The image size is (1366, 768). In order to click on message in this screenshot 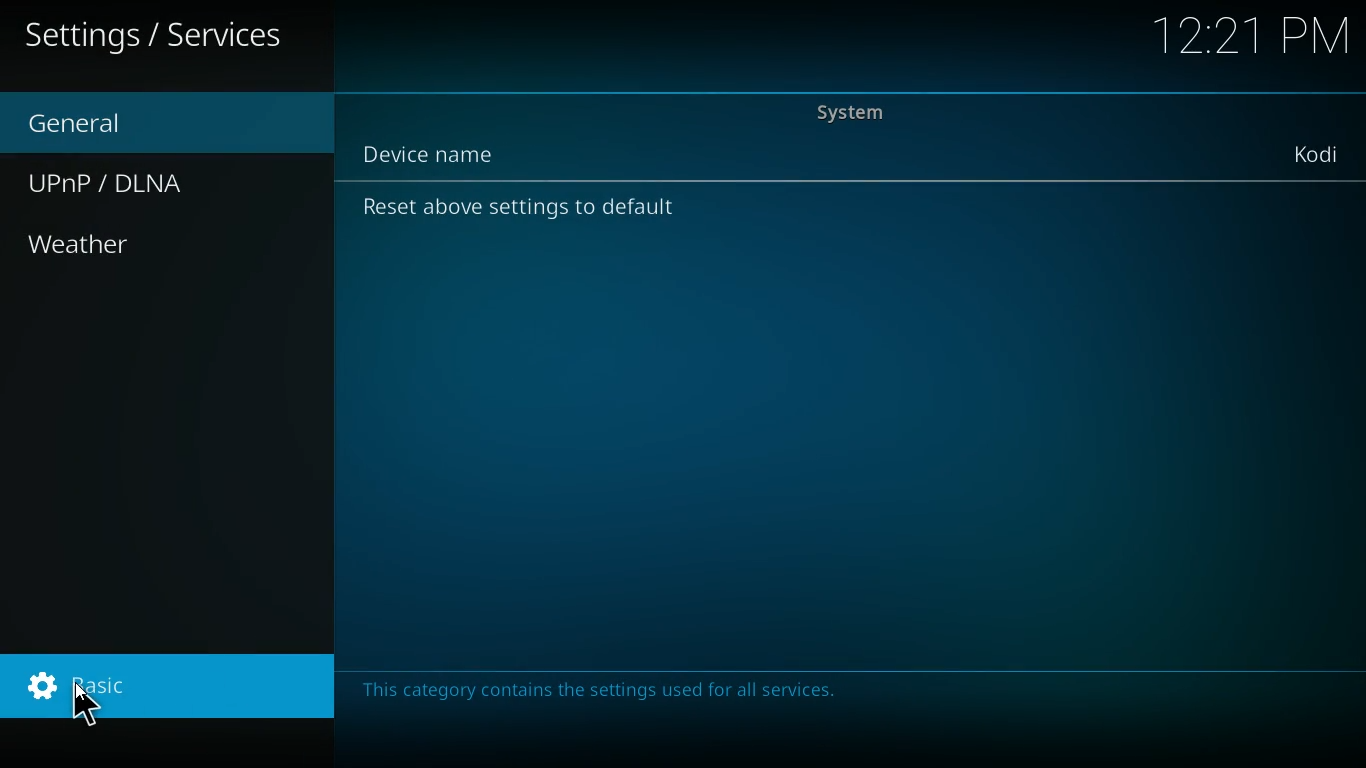, I will do `click(616, 696)`.